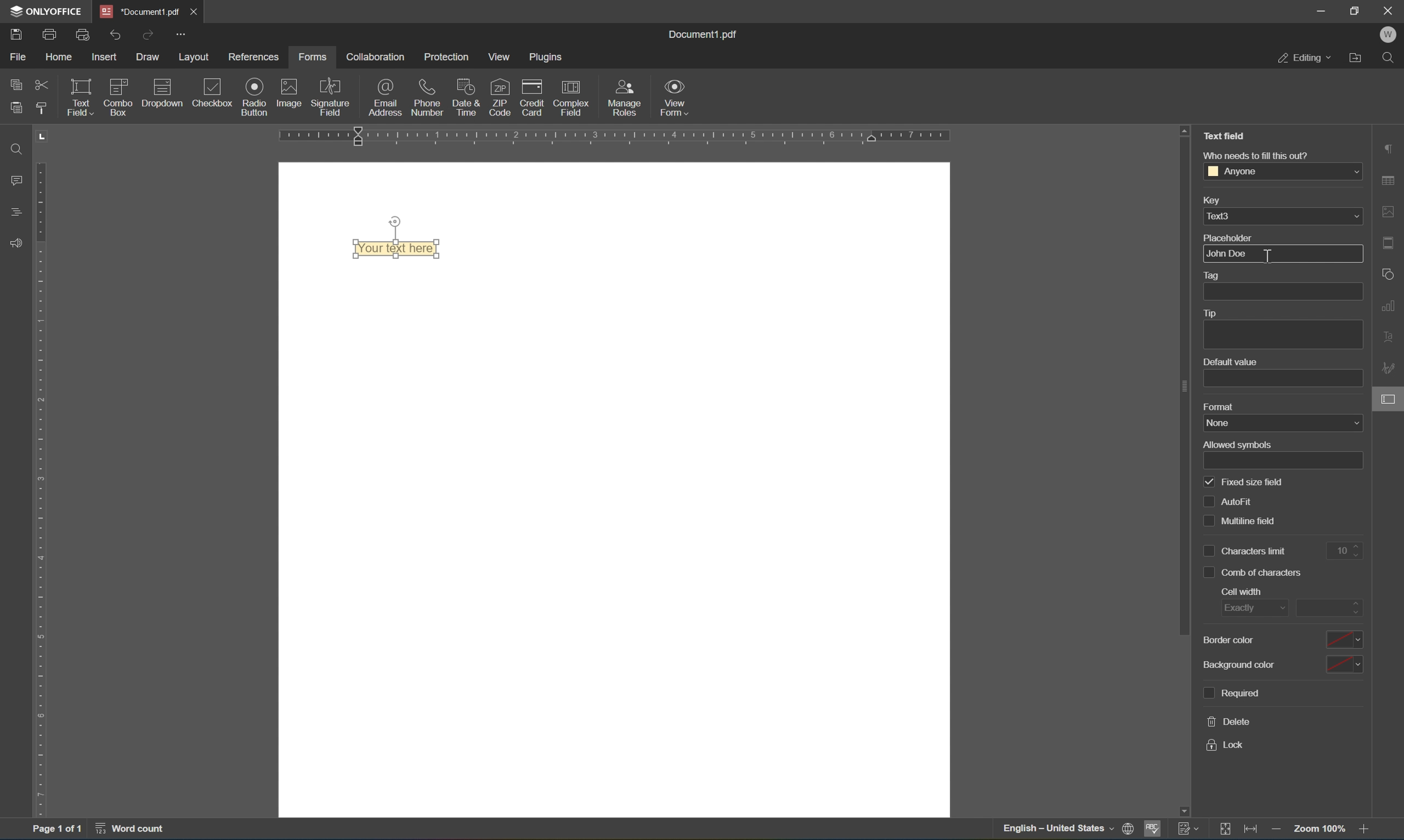  Describe the element at coordinates (1390, 370) in the screenshot. I see `signature settings` at that location.